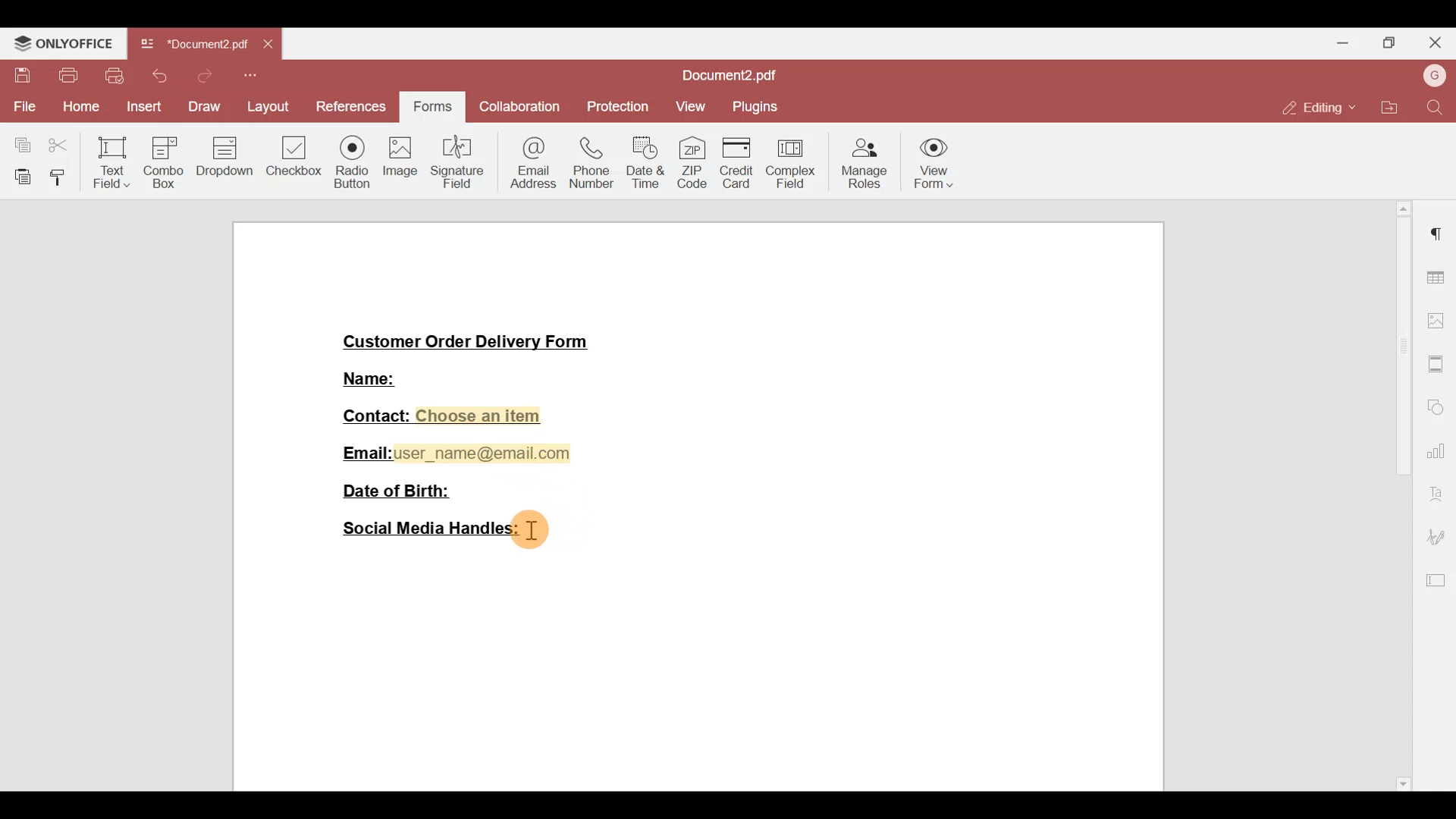 The width and height of the screenshot is (1456, 819). Describe the element at coordinates (58, 178) in the screenshot. I see `Copy style` at that location.